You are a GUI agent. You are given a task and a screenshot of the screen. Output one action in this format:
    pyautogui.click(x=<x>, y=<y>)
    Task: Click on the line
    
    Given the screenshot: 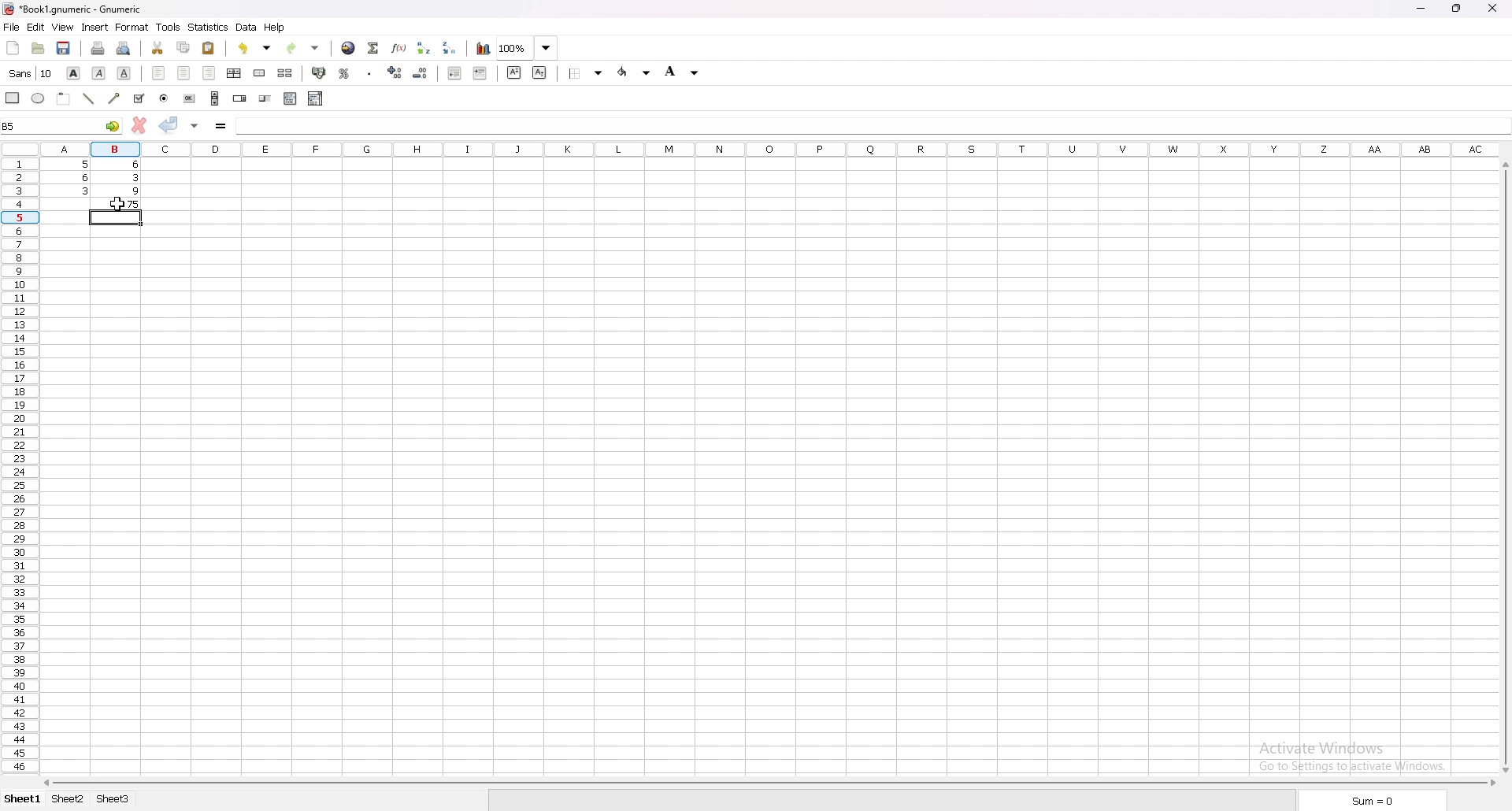 What is the action you would take?
    pyautogui.click(x=87, y=98)
    